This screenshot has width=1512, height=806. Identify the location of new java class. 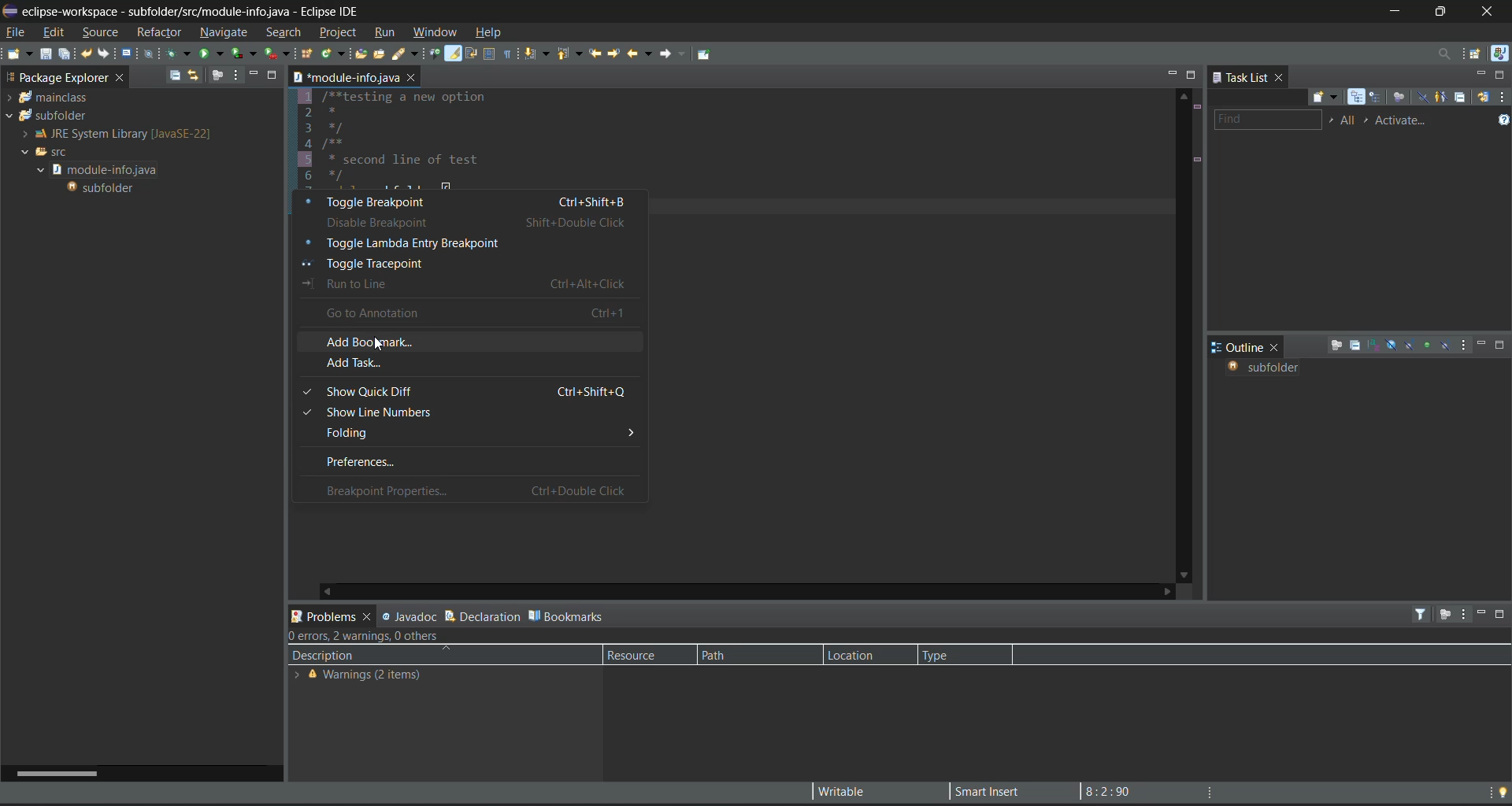
(333, 53).